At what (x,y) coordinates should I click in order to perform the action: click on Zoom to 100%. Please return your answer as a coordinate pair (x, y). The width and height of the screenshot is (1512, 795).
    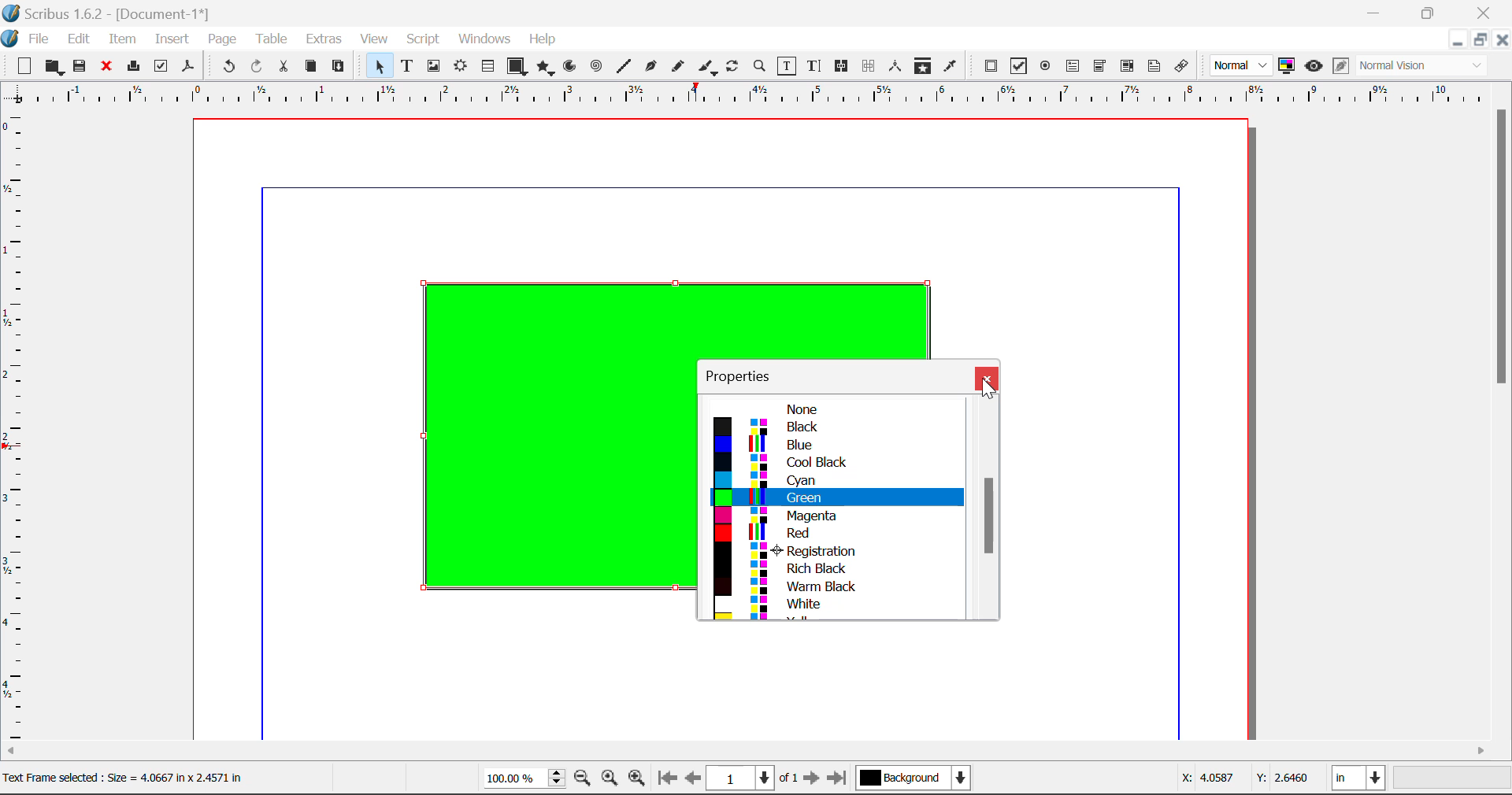
    Looking at the image, I should click on (610, 780).